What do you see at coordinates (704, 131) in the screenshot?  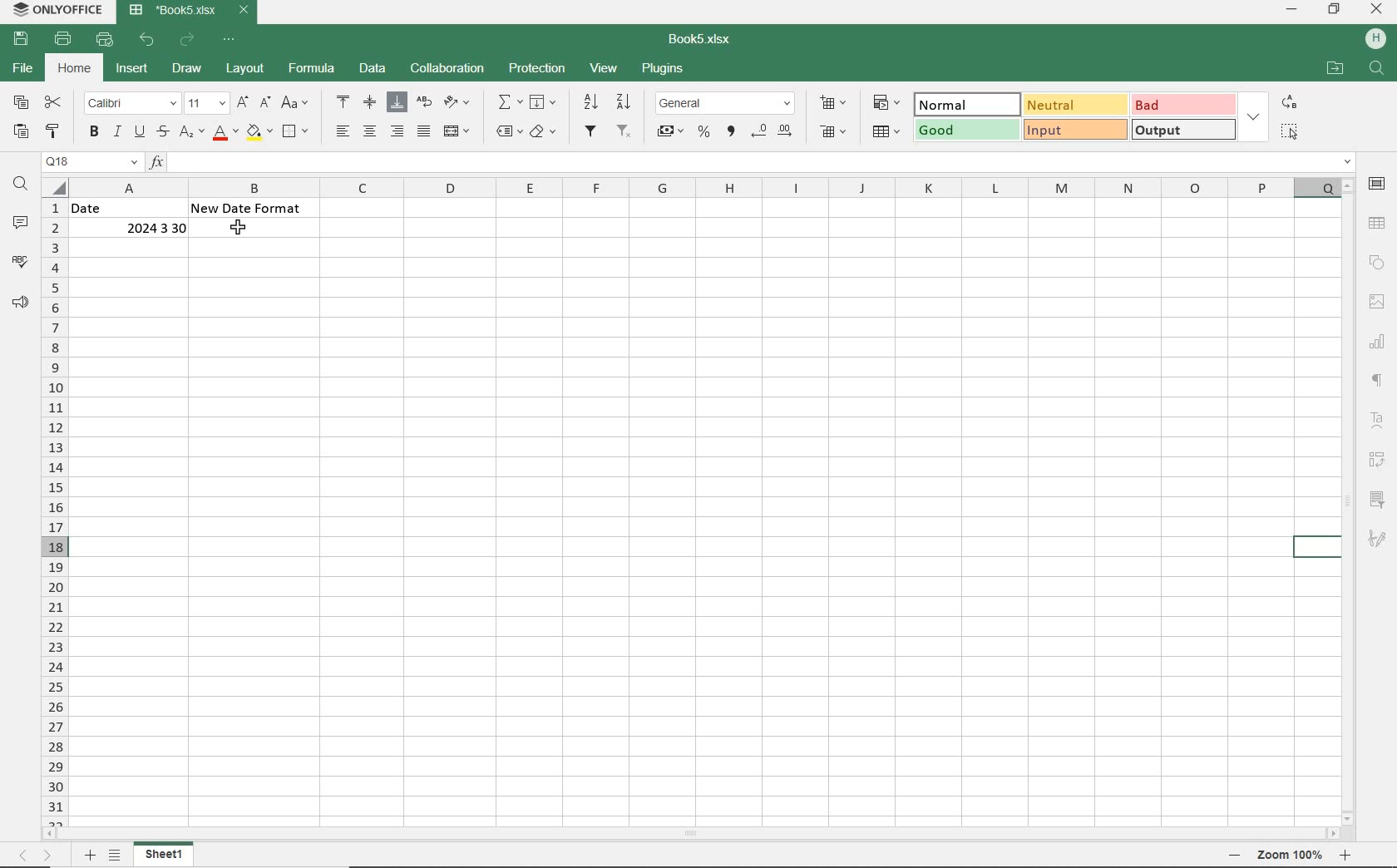 I see `PERCENT STYLE` at bounding box center [704, 131].